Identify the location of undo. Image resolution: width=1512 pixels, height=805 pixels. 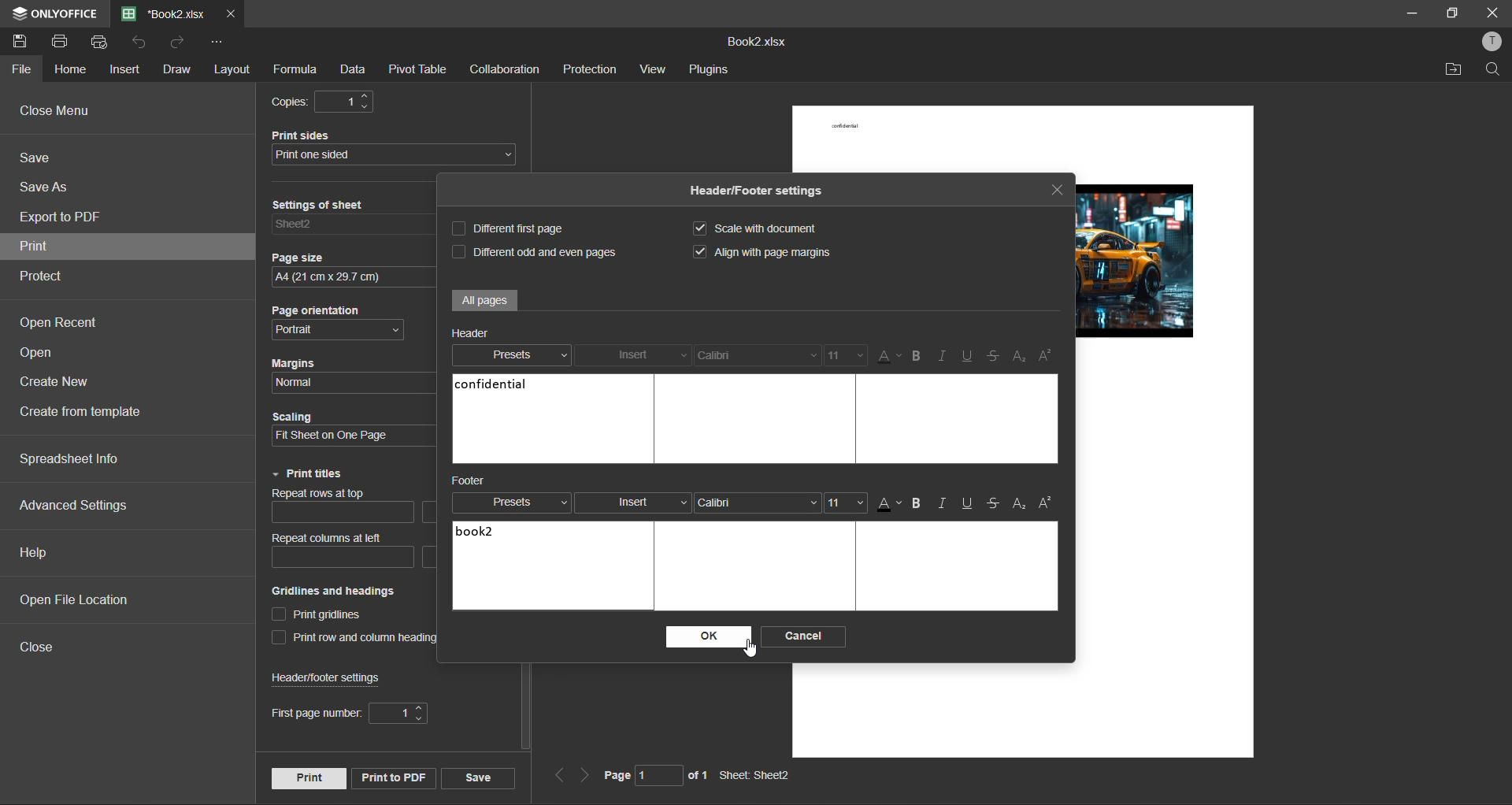
(142, 45).